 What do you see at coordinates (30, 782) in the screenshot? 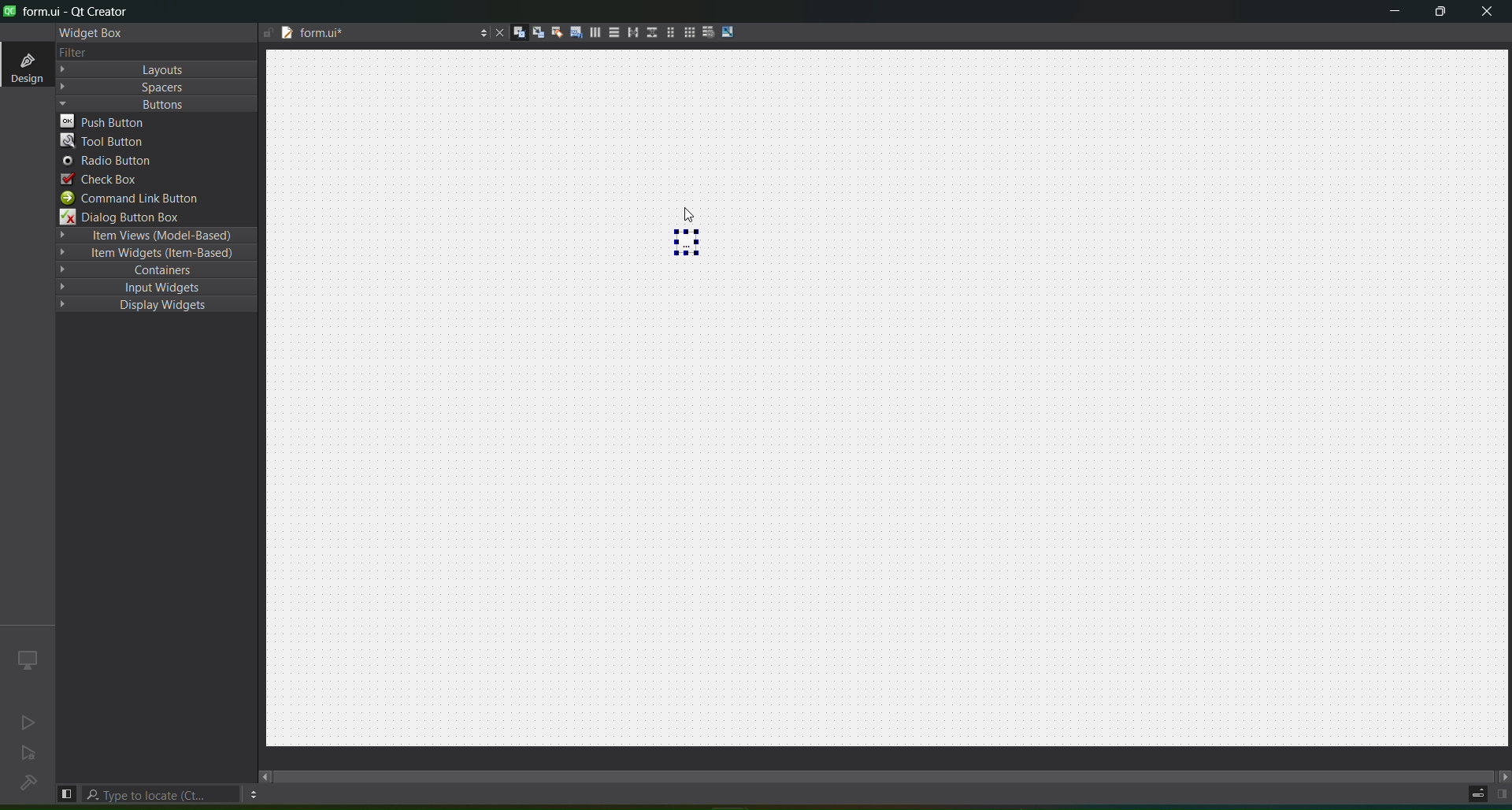
I see `no project loaded` at bounding box center [30, 782].